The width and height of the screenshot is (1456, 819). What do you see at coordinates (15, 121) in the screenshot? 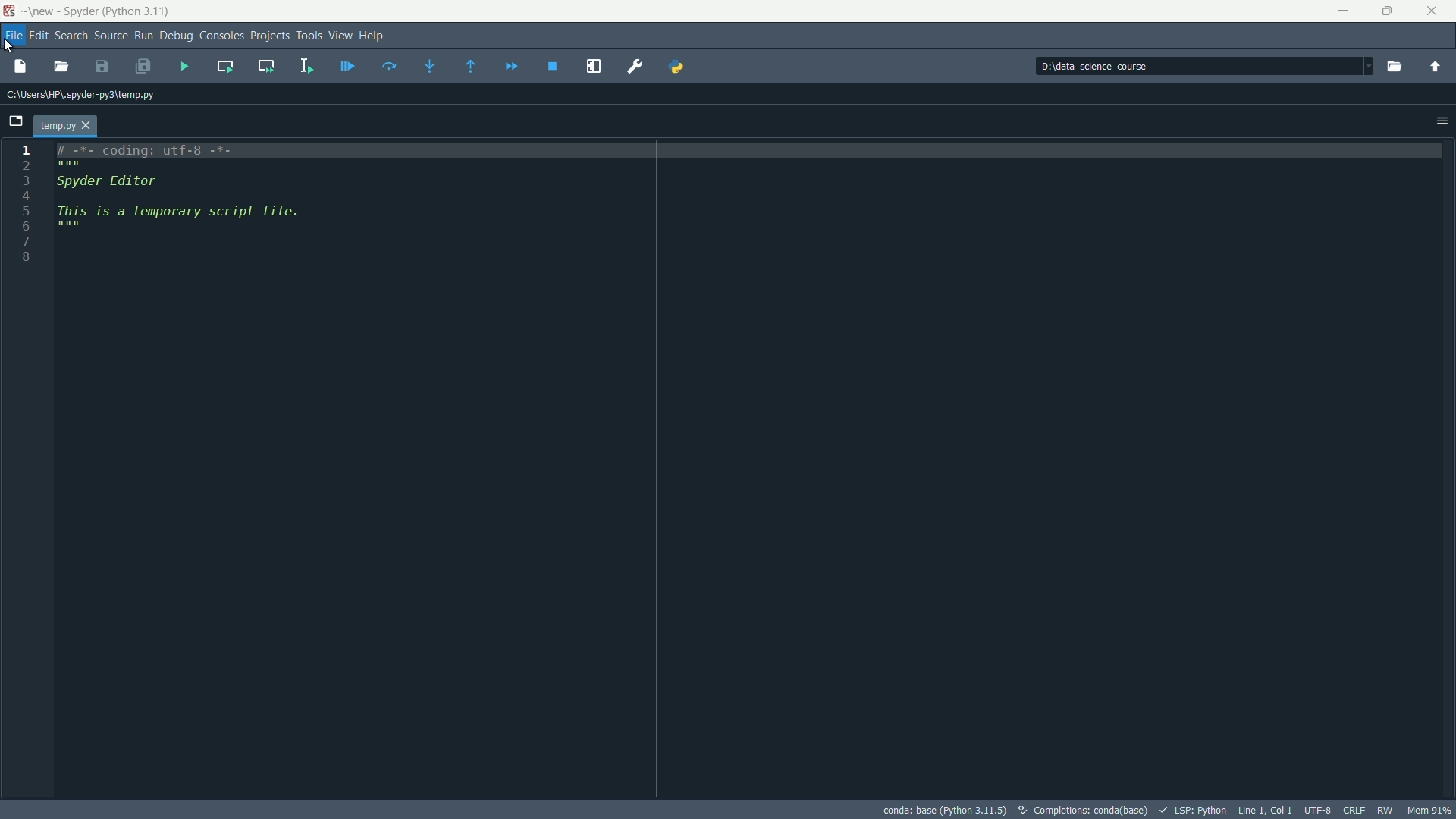
I see `browse tab` at bounding box center [15, 121].